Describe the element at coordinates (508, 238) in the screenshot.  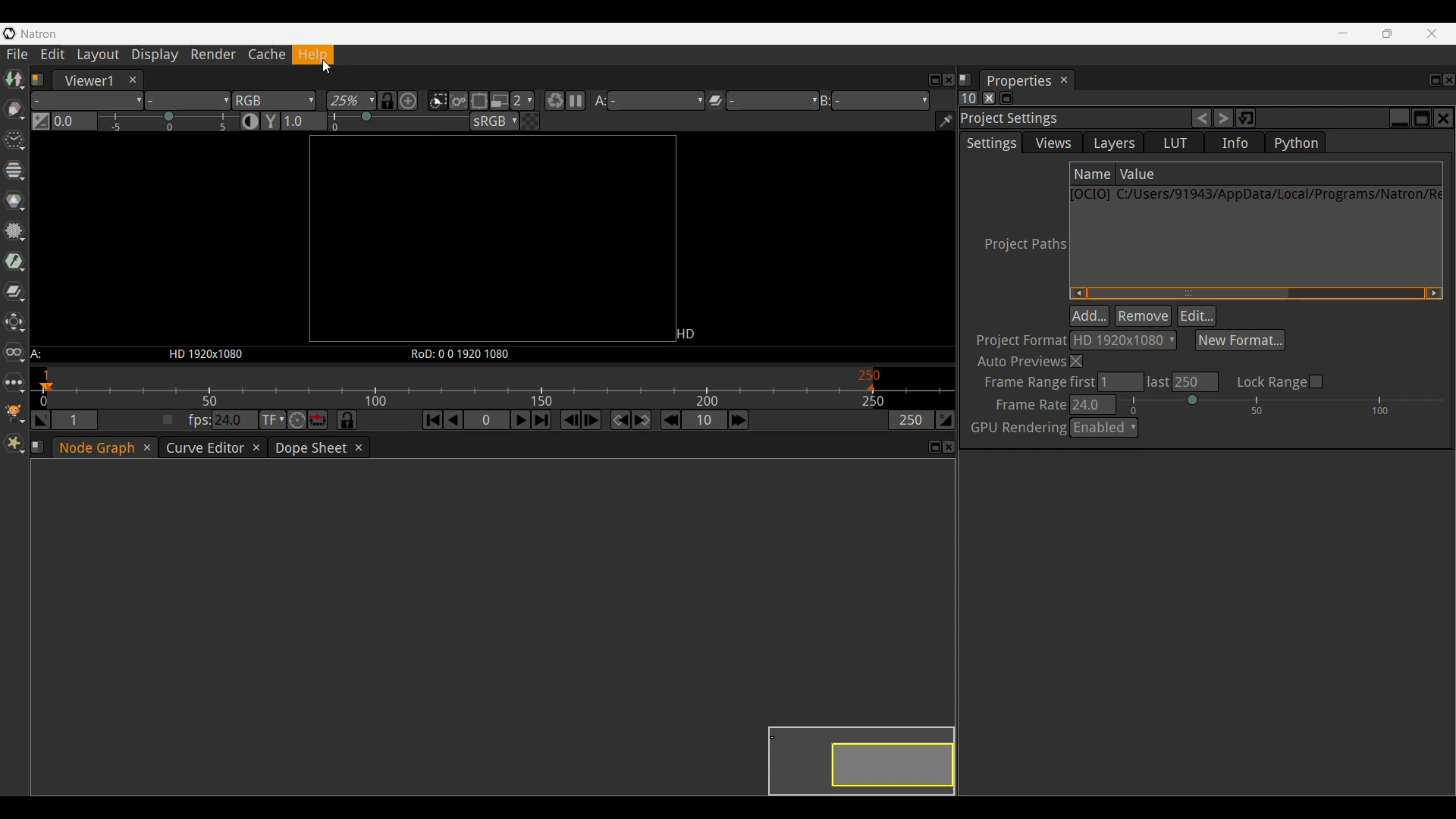
I see `Preview` at that location.